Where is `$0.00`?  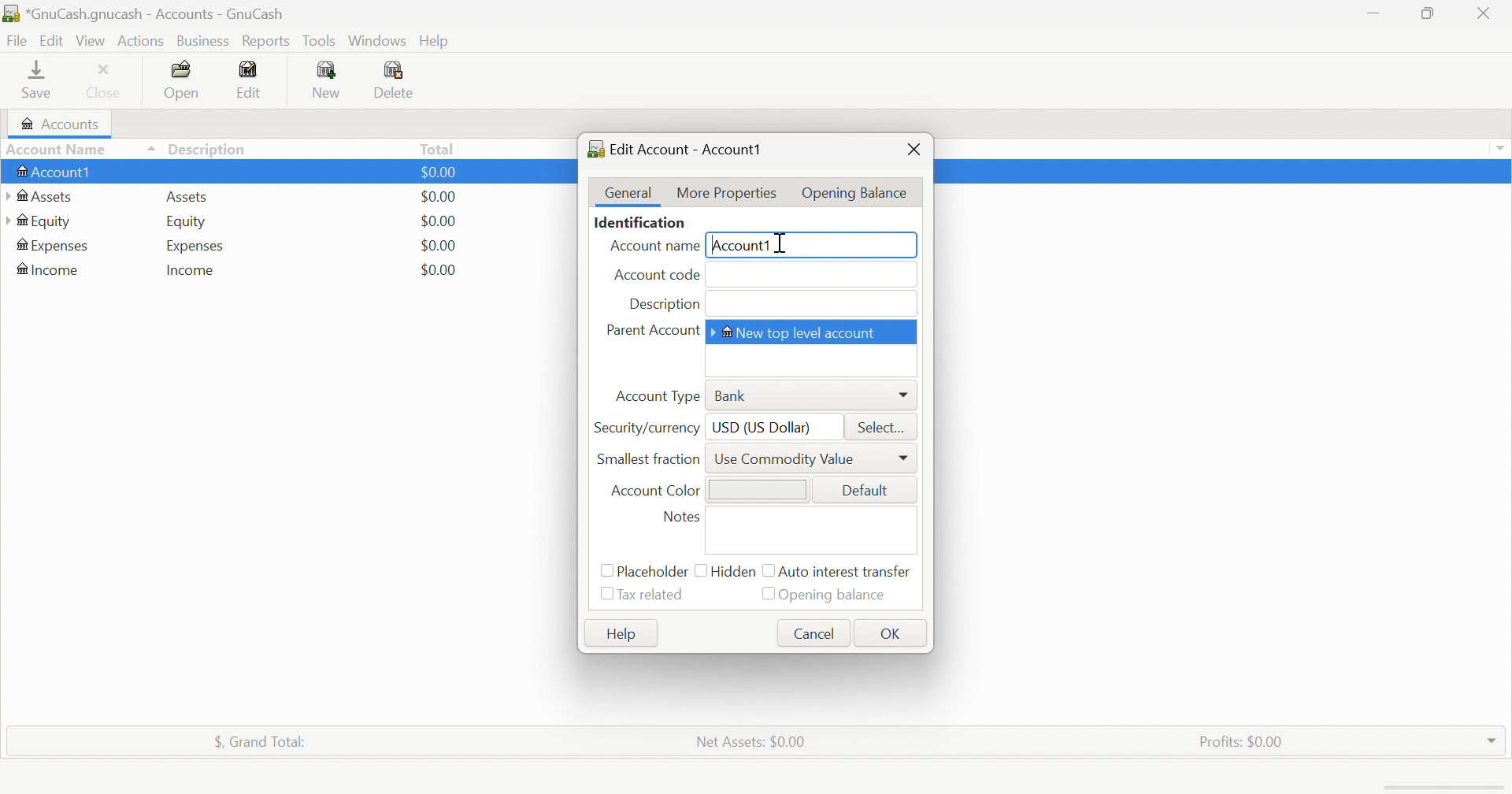 $0.00 is located at coordinates (440, 270).